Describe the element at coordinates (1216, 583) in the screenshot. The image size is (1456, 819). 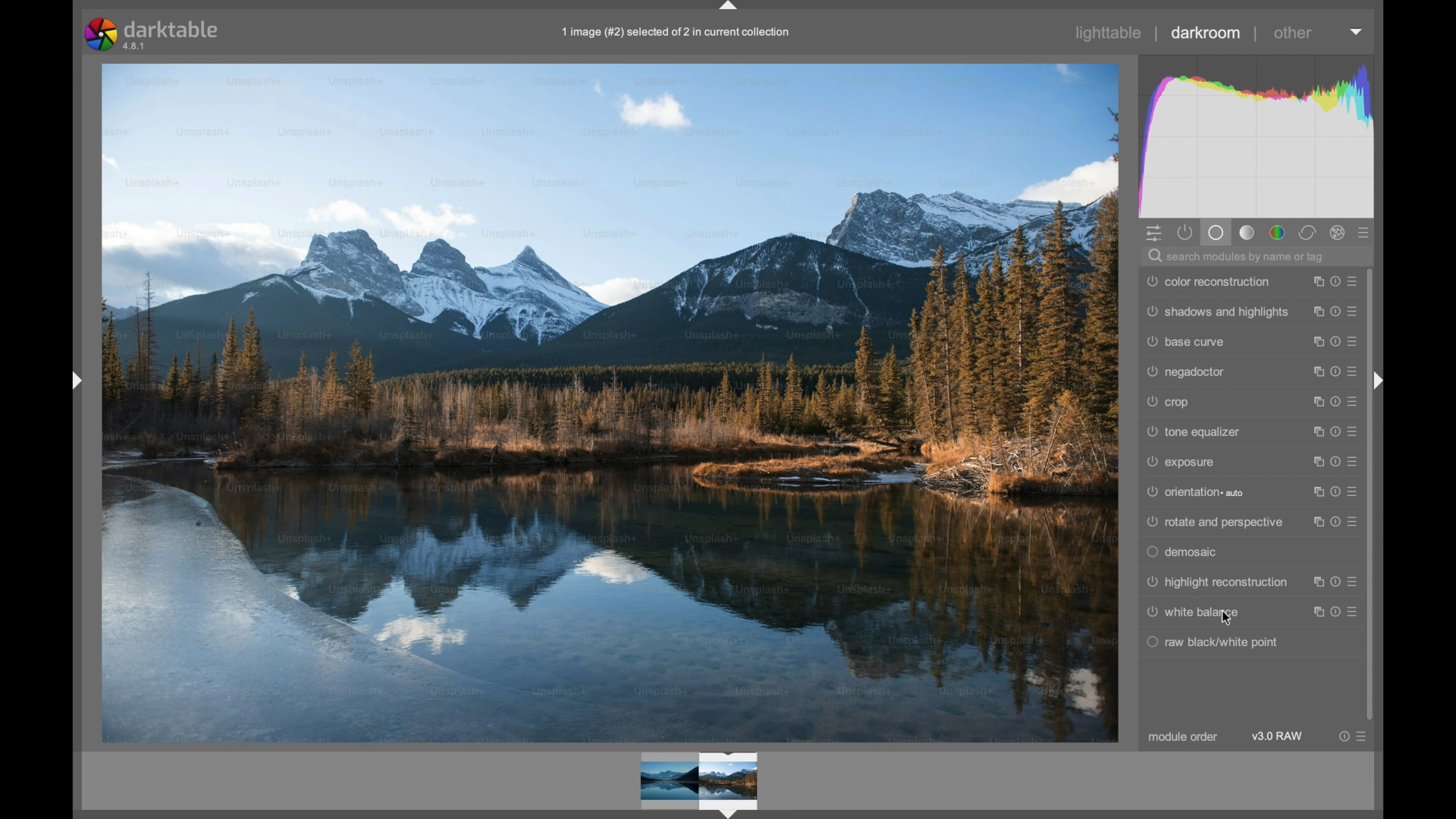
I see `highlight reconstruction` at that location.